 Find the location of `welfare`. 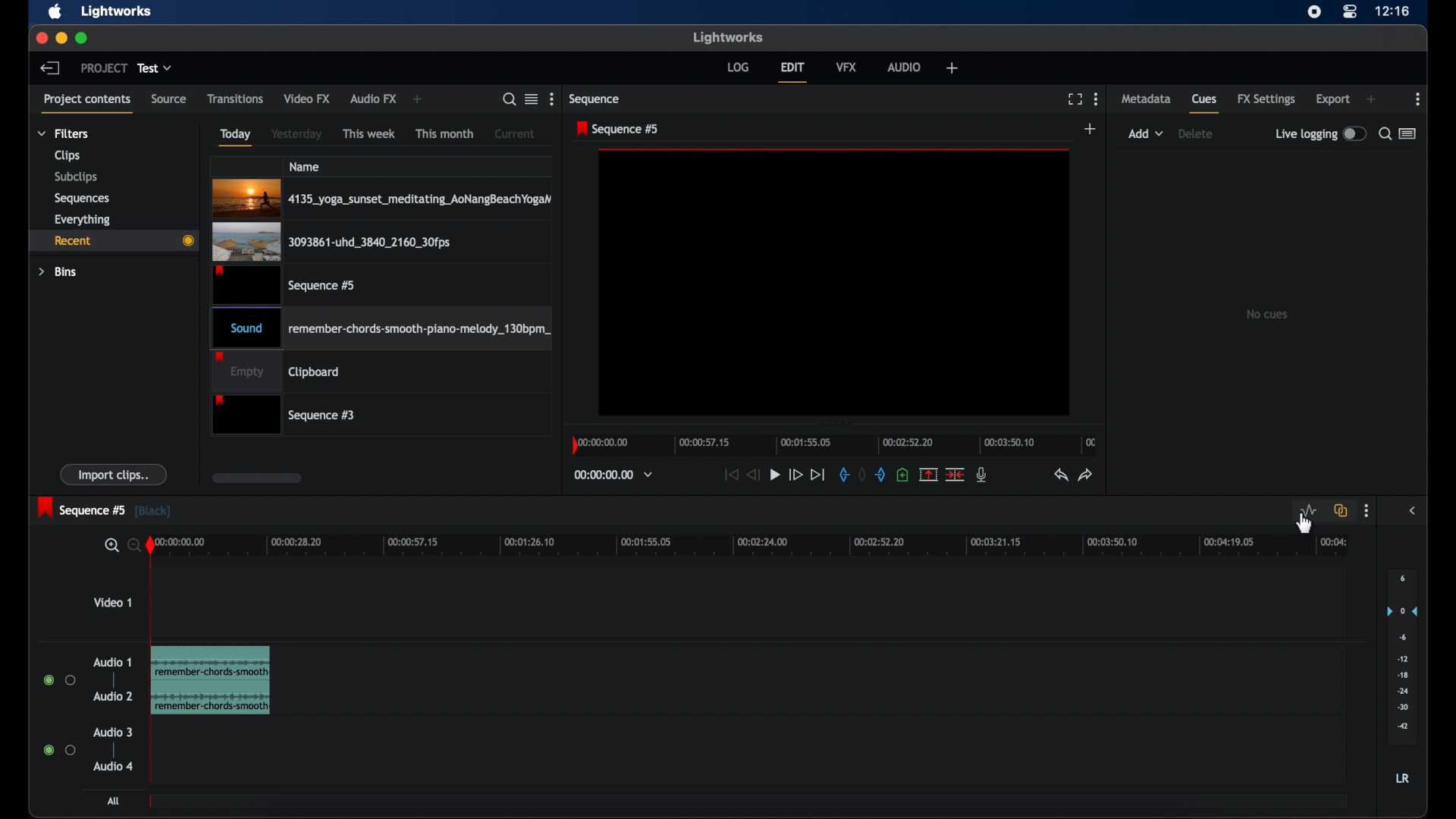

welfare is located at coordinates (952, 68).